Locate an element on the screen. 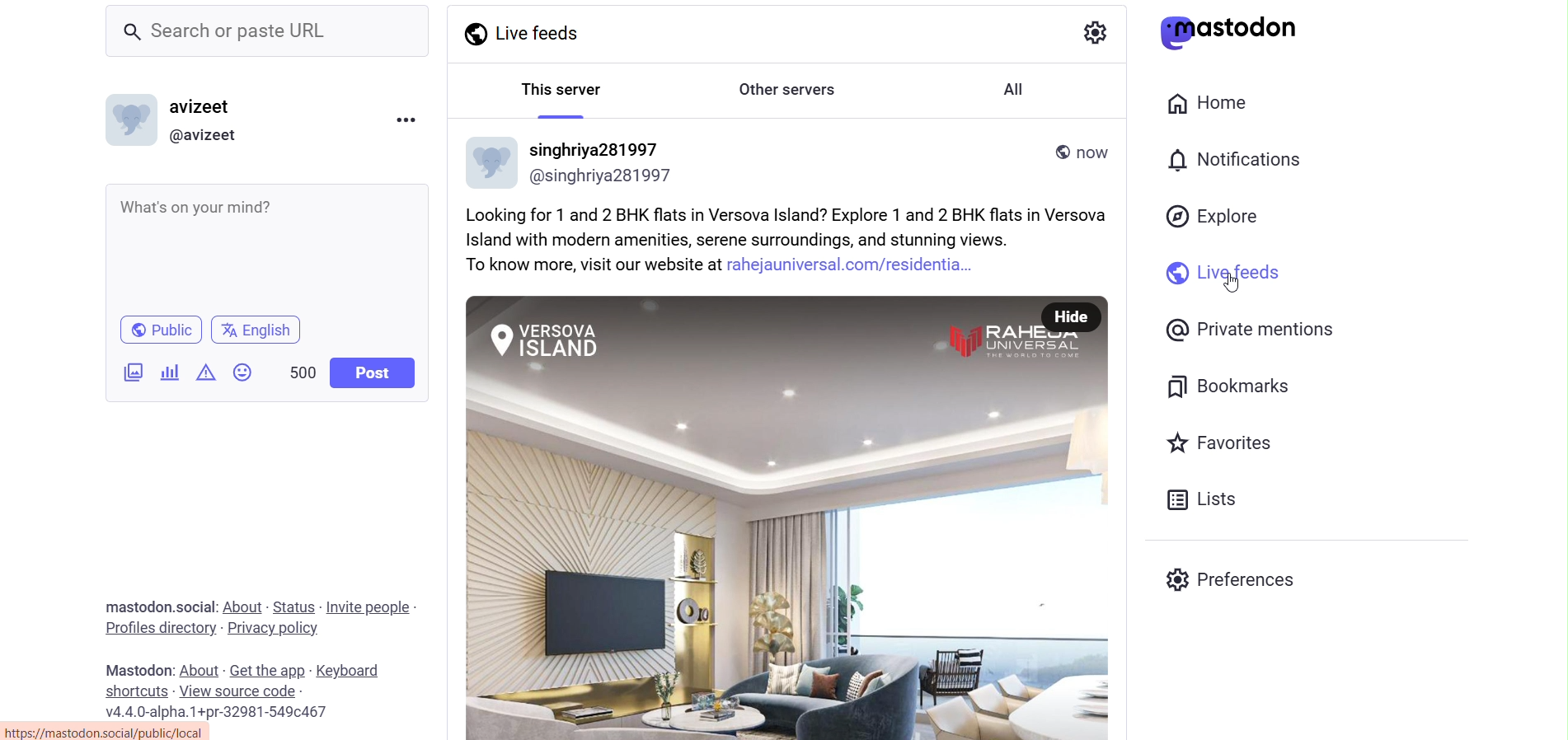 This screenshot has width=1568, height=740. Time Posted is located at coordinates (1096, 156).